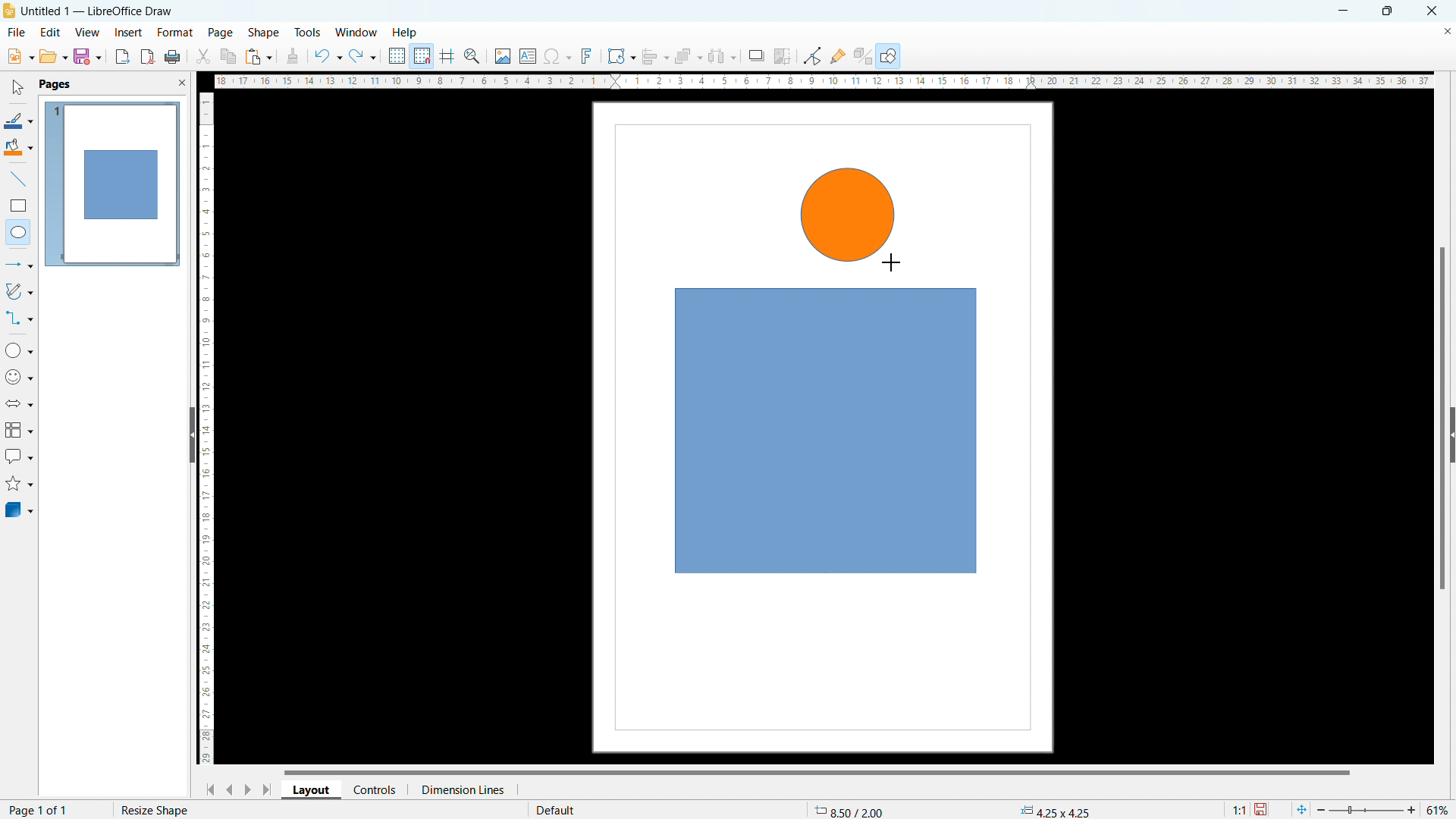 The height and width of the screenshot is (819, 1456). I want to click on flowchart, so click(20, 430).